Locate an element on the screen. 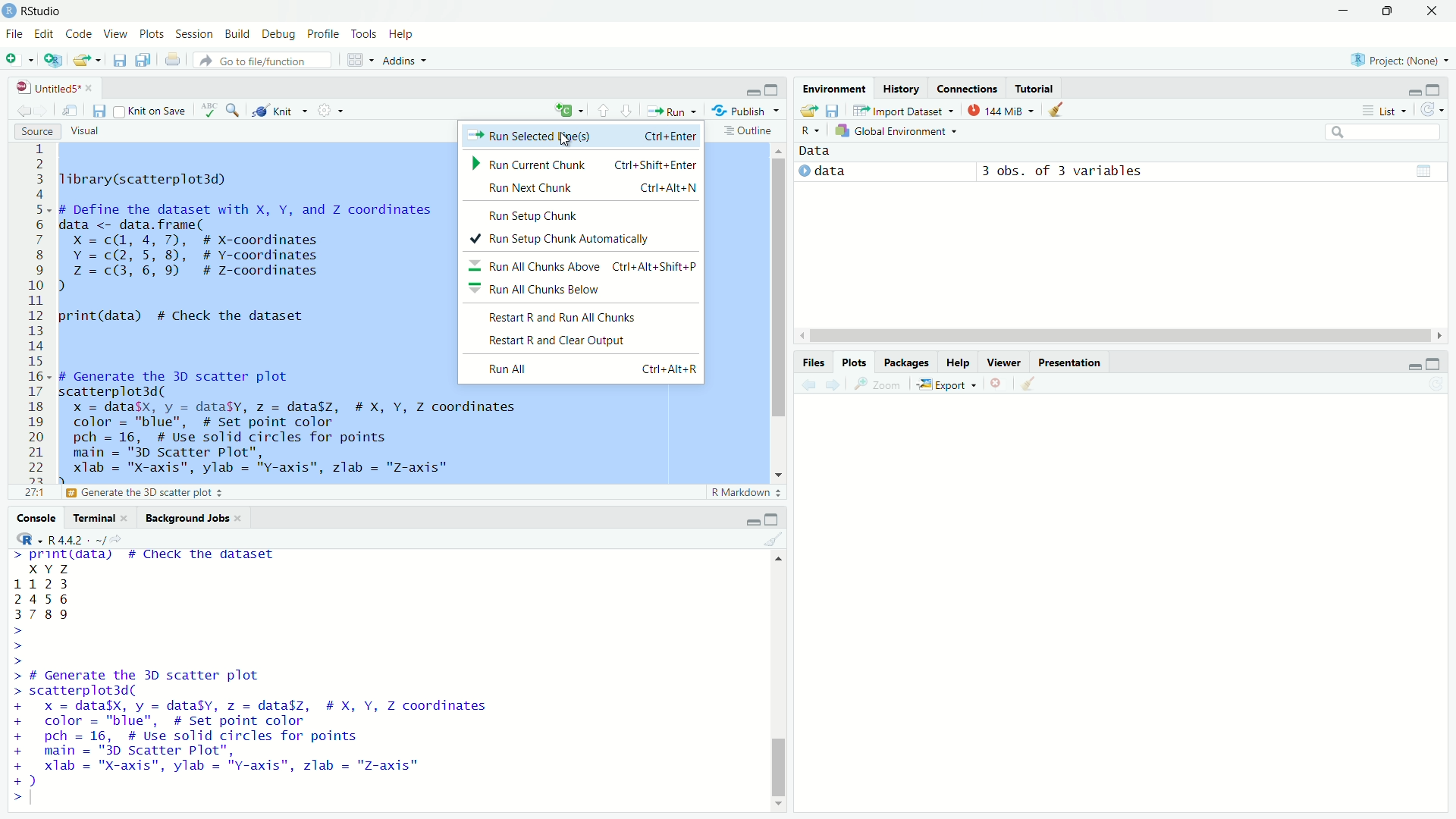 Image resolution: width=1456 pixels, height=819 pixels. spell check is located at coordinates (208, 111).